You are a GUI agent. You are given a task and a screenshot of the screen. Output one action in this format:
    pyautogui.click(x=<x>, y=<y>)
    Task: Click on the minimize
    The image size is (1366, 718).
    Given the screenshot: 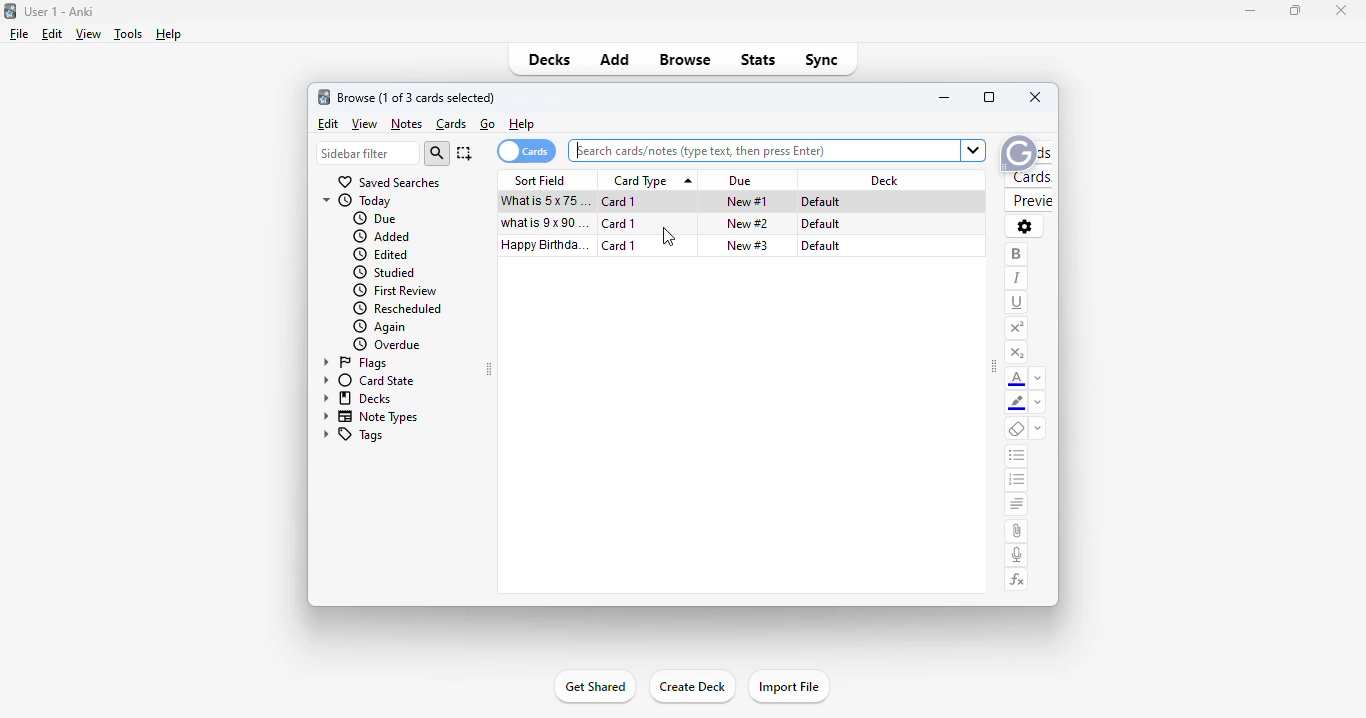 What is the action you would take?
    pyautogui.click(x=946, y=98)
    